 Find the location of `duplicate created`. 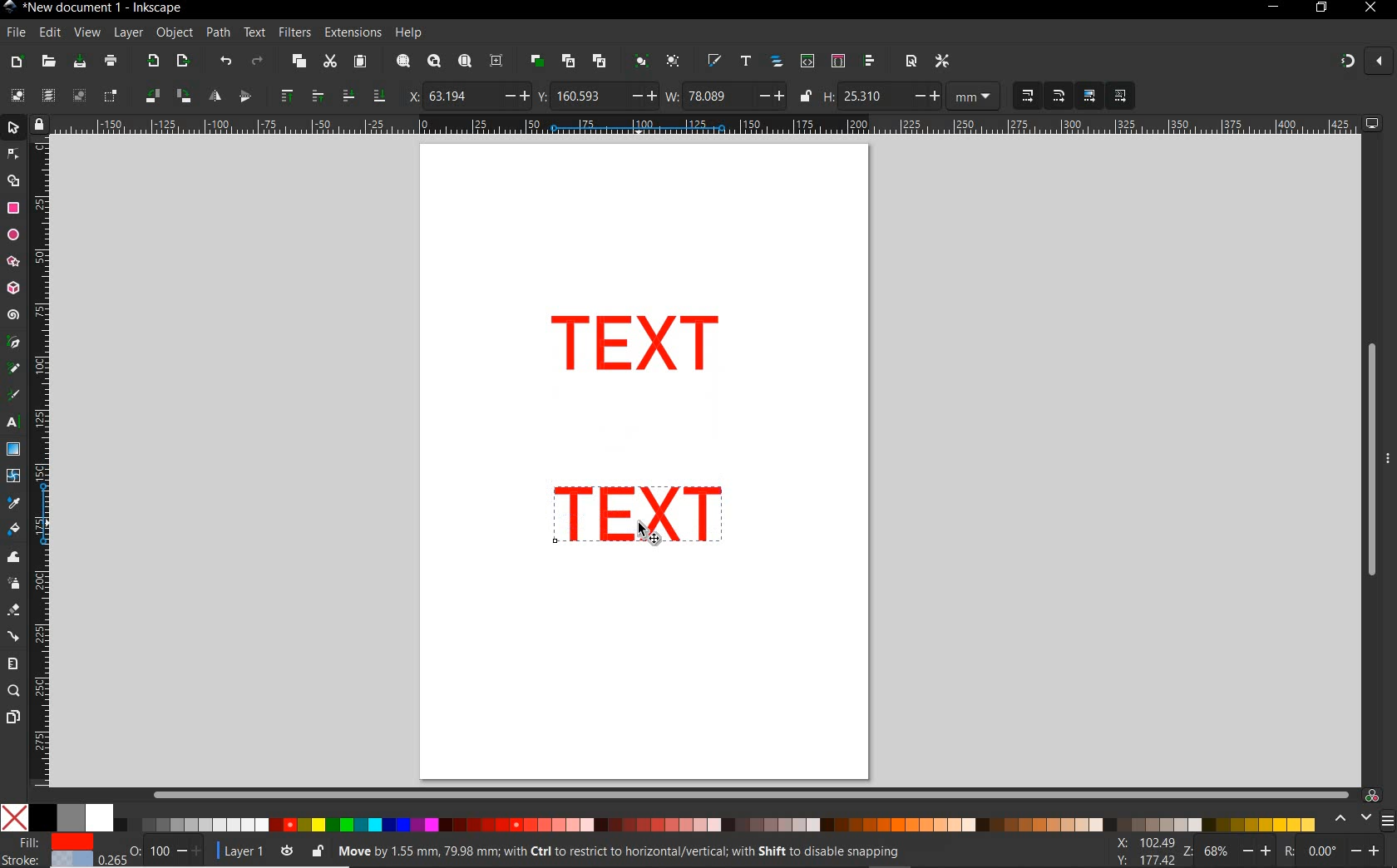

duplicate created is located at coordinates (636, 348).